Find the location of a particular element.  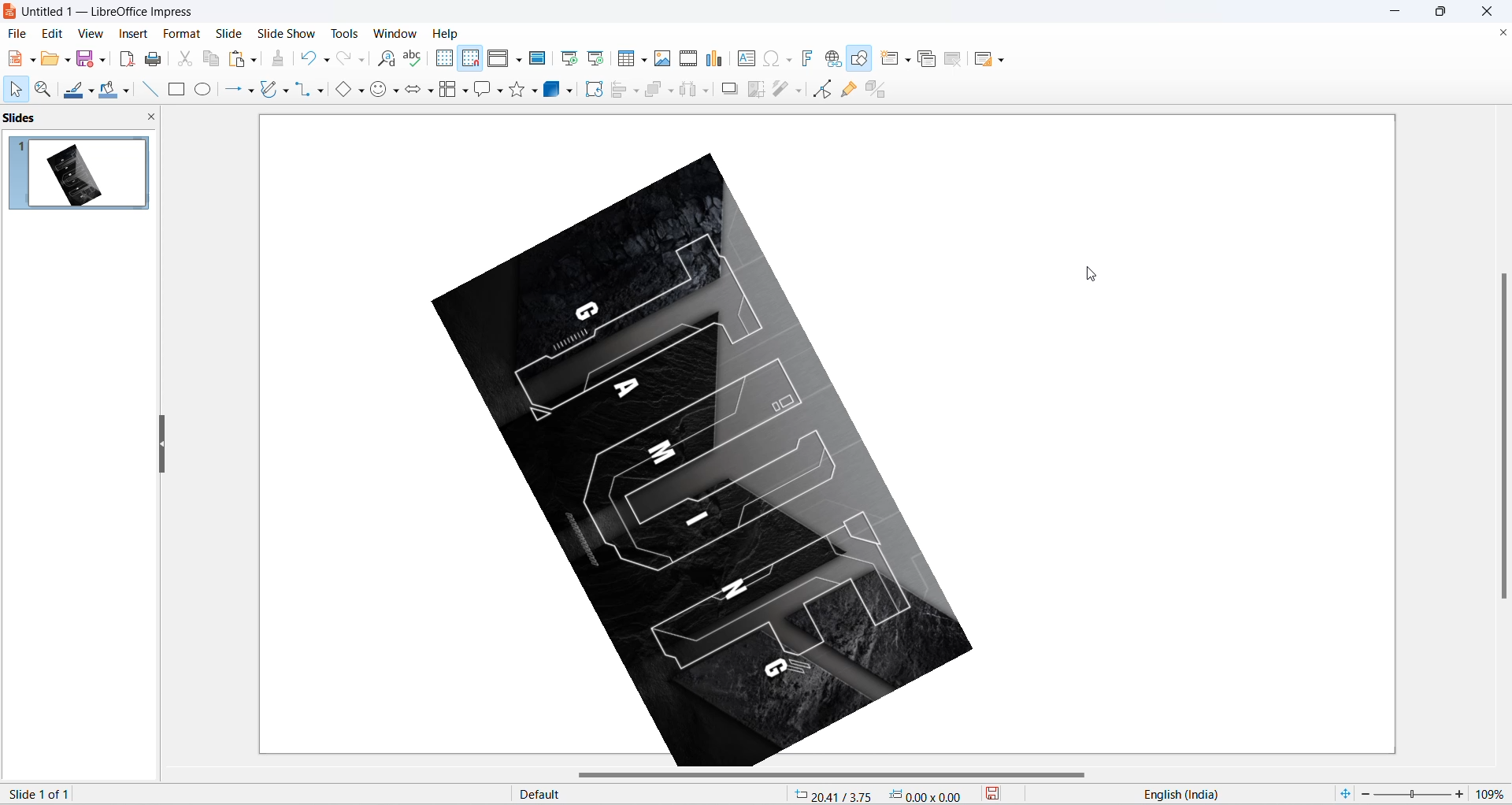

edit is located at coordinates (54, 33).